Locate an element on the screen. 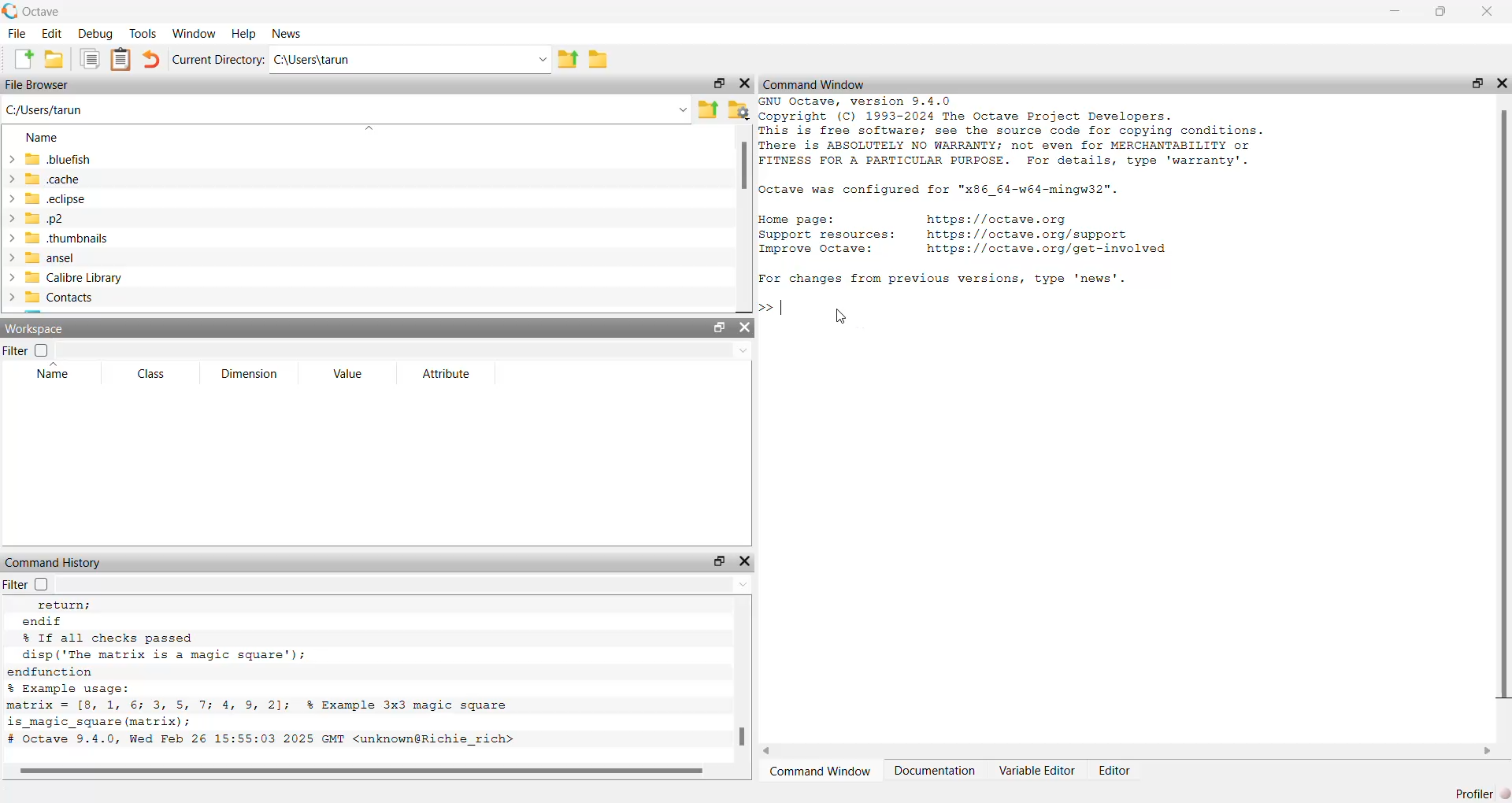 This screenshot has height=803, width=1512. Name is located at coordinates (52, 372).